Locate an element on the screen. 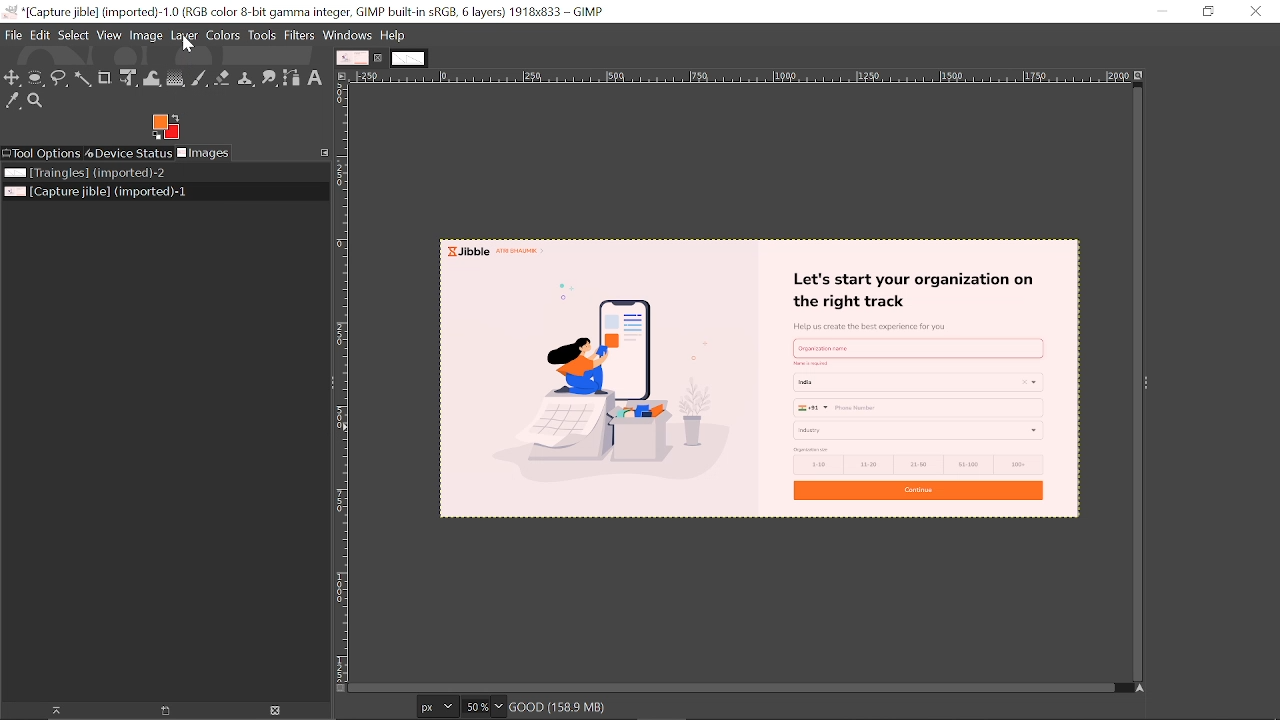 The image size is (1280, 720). Select is located at coordinates (73, 36).